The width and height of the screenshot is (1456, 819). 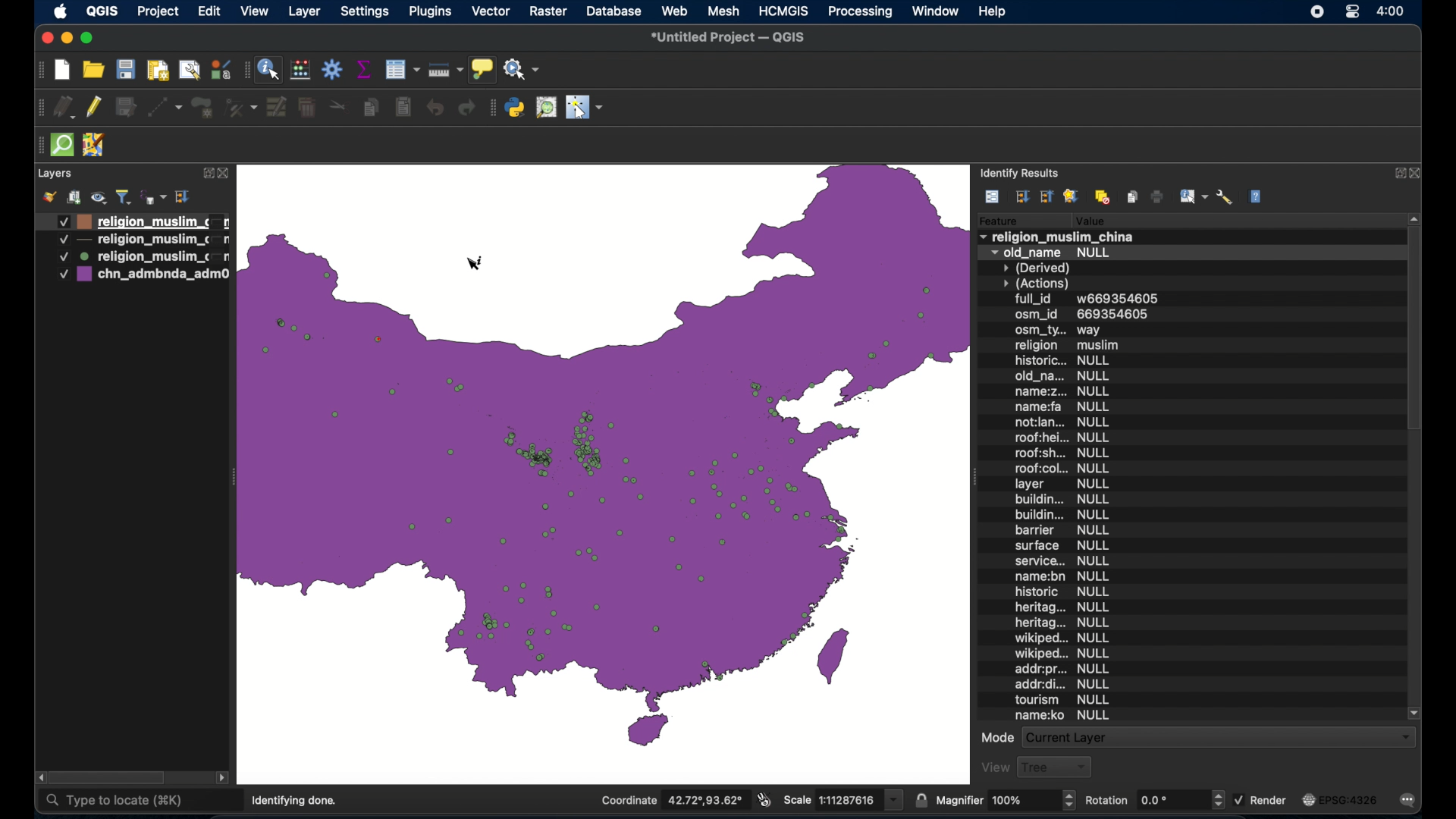 I want to click on manage map theme, so click(x=99, y=196).